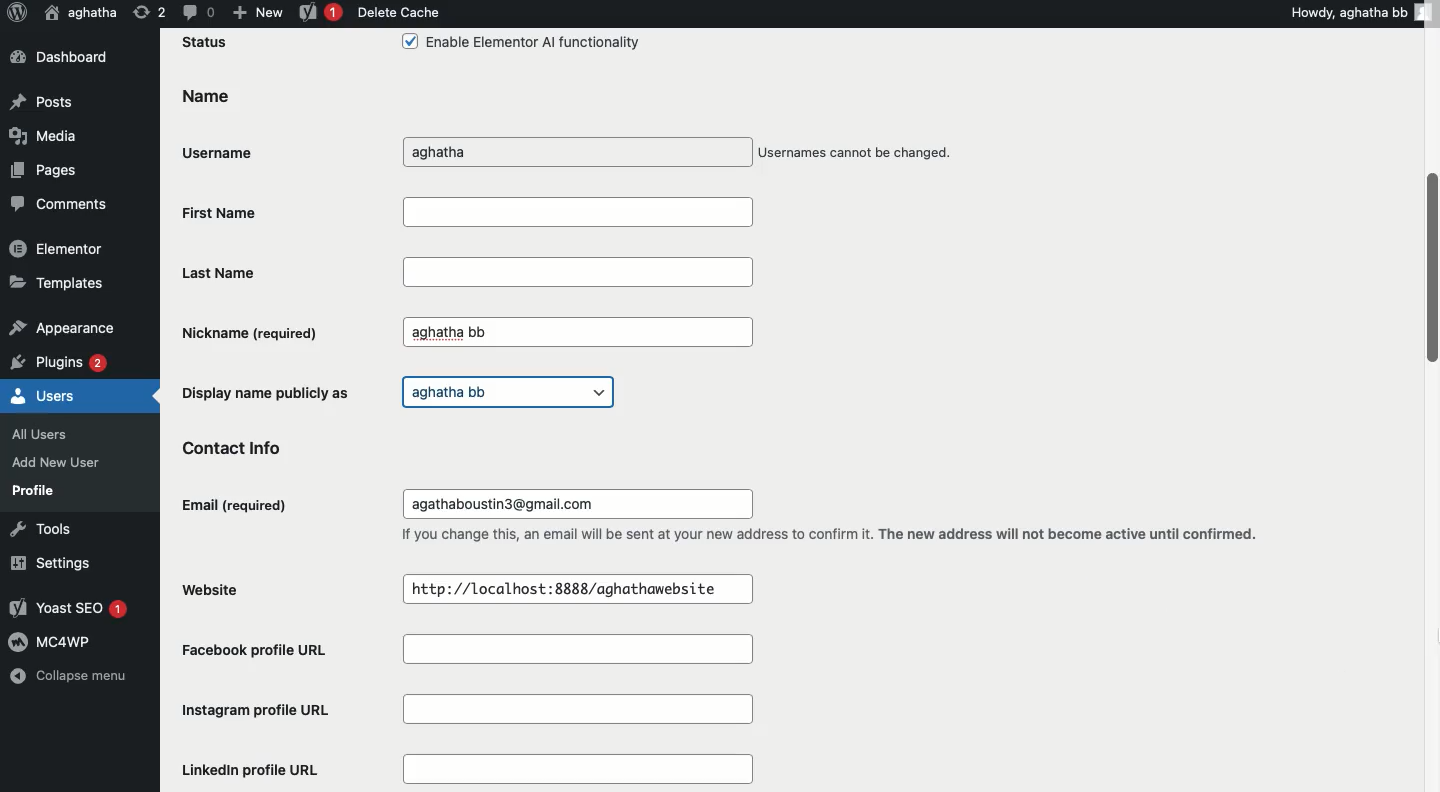 The height and width of the screenshot is (792, 1440). What do you see at coordinates (34, 490) in the screenshot?
I see `Profile` at bounding box center [34, 490].